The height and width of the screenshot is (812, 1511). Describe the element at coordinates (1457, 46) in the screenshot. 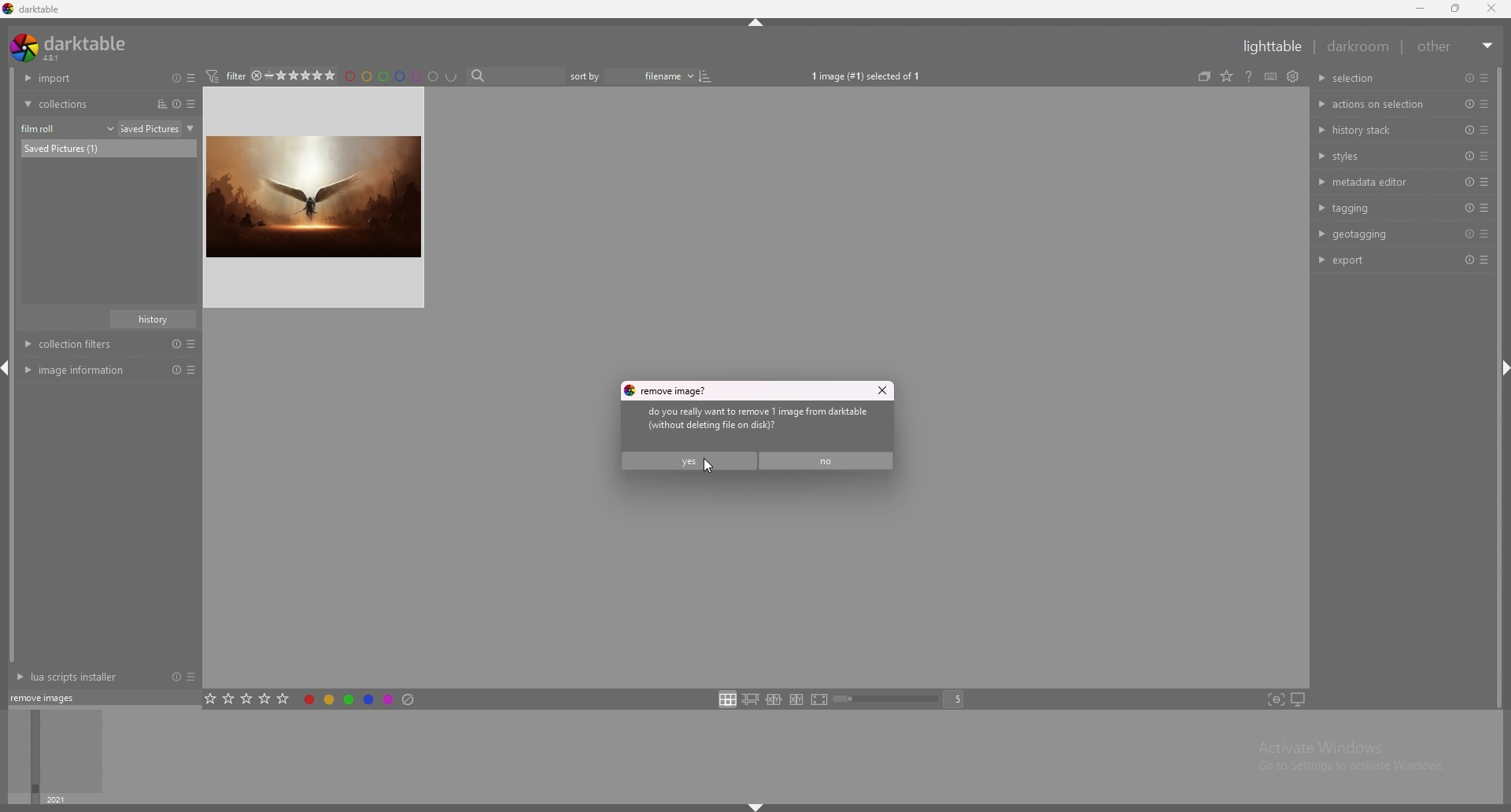

I see `other` at that location.